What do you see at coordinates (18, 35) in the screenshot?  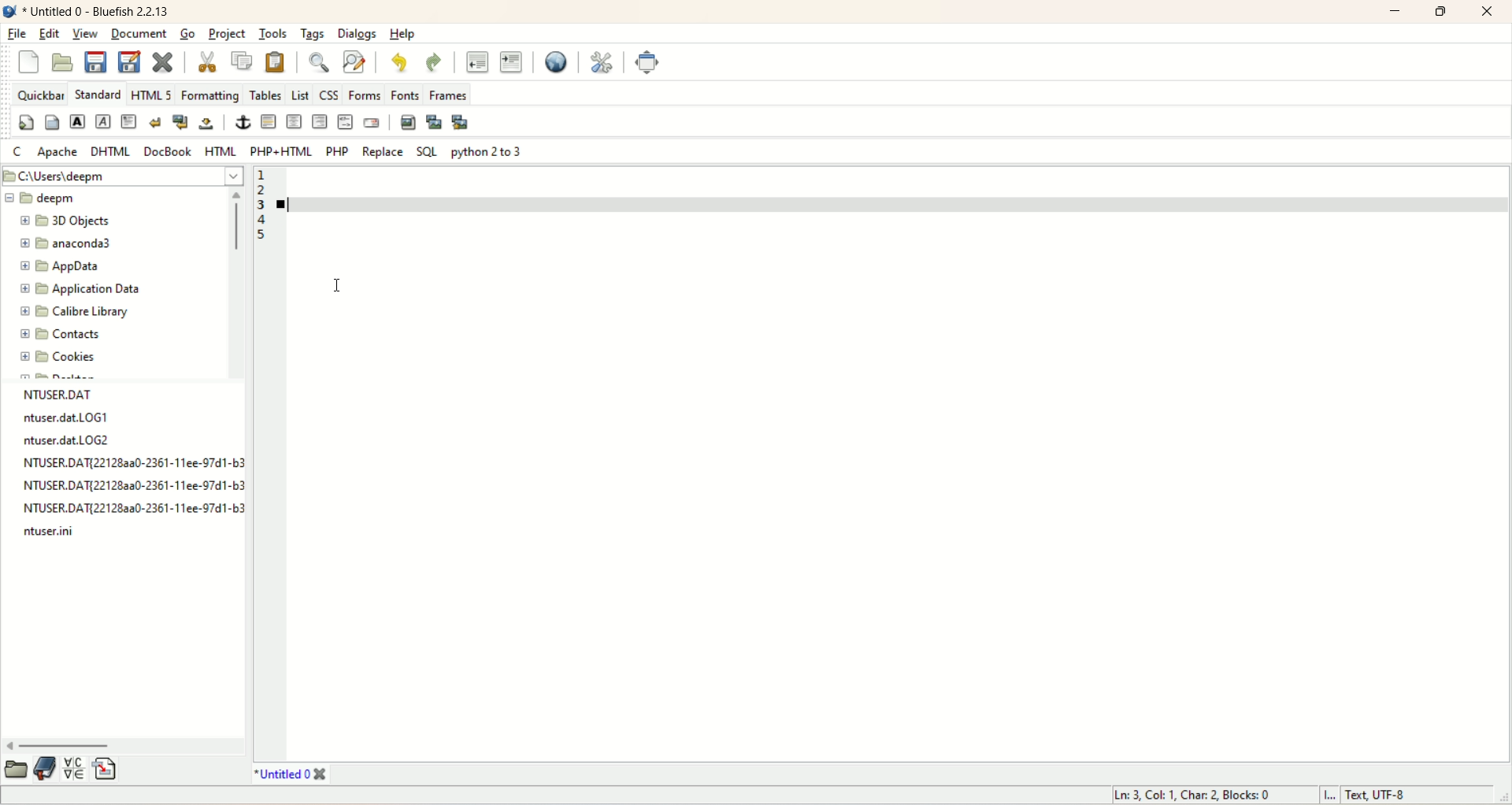 I see `file` at bounding box center [18, 35].